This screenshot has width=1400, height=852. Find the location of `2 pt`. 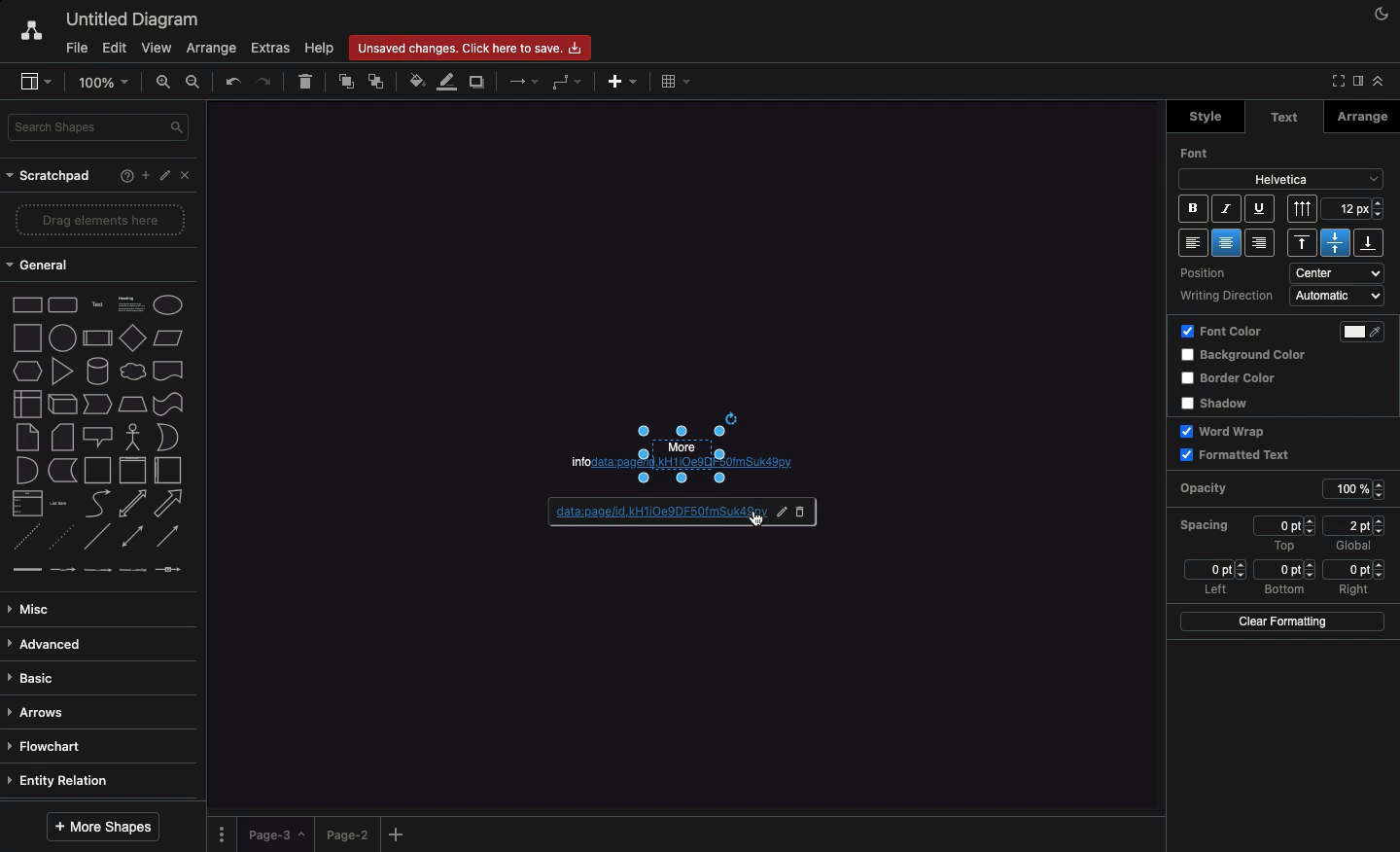

2 pt is located at coordinates (1354, 525).